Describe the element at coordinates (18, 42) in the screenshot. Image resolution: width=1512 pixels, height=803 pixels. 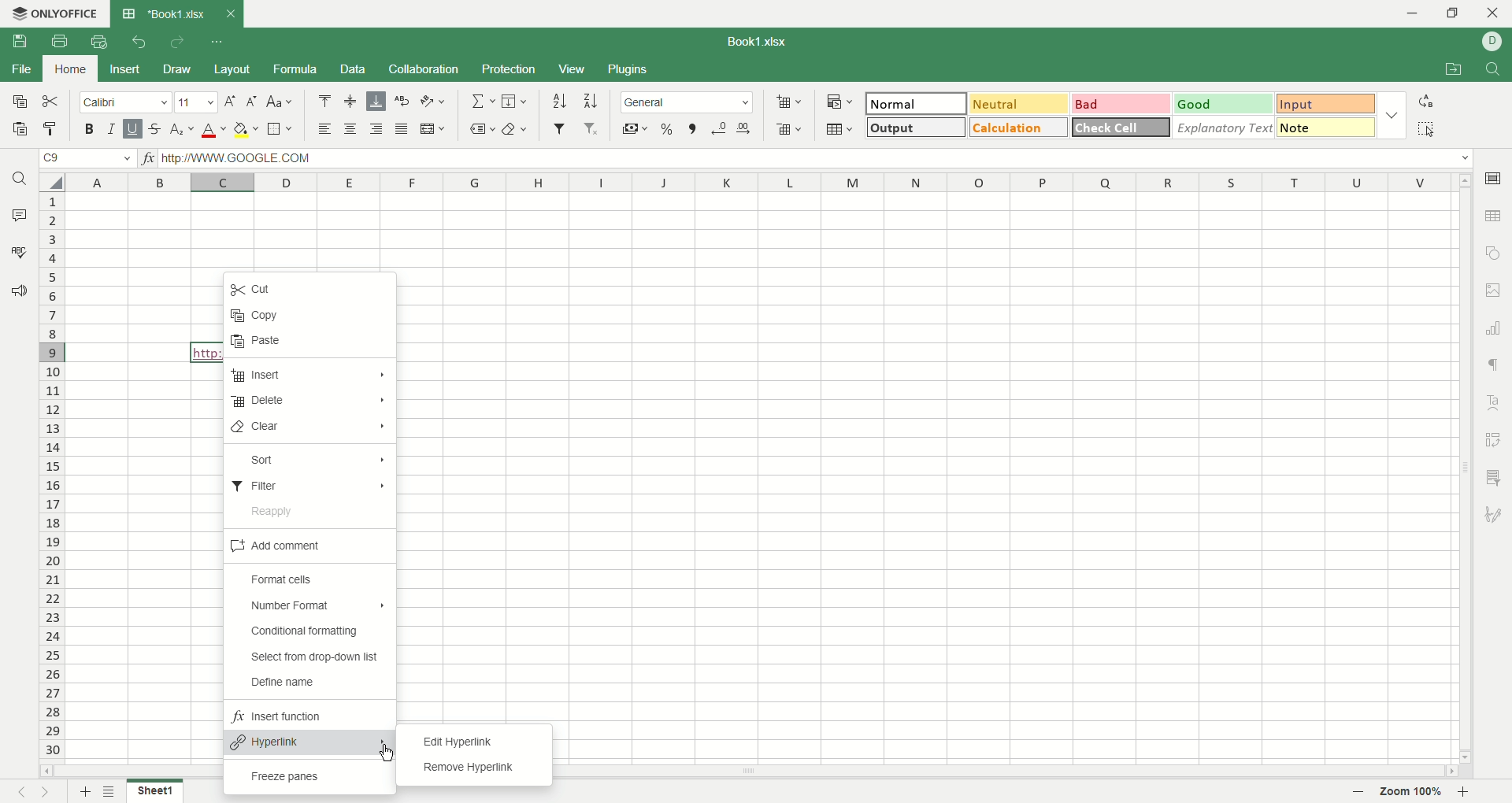
I see `save` at that location.